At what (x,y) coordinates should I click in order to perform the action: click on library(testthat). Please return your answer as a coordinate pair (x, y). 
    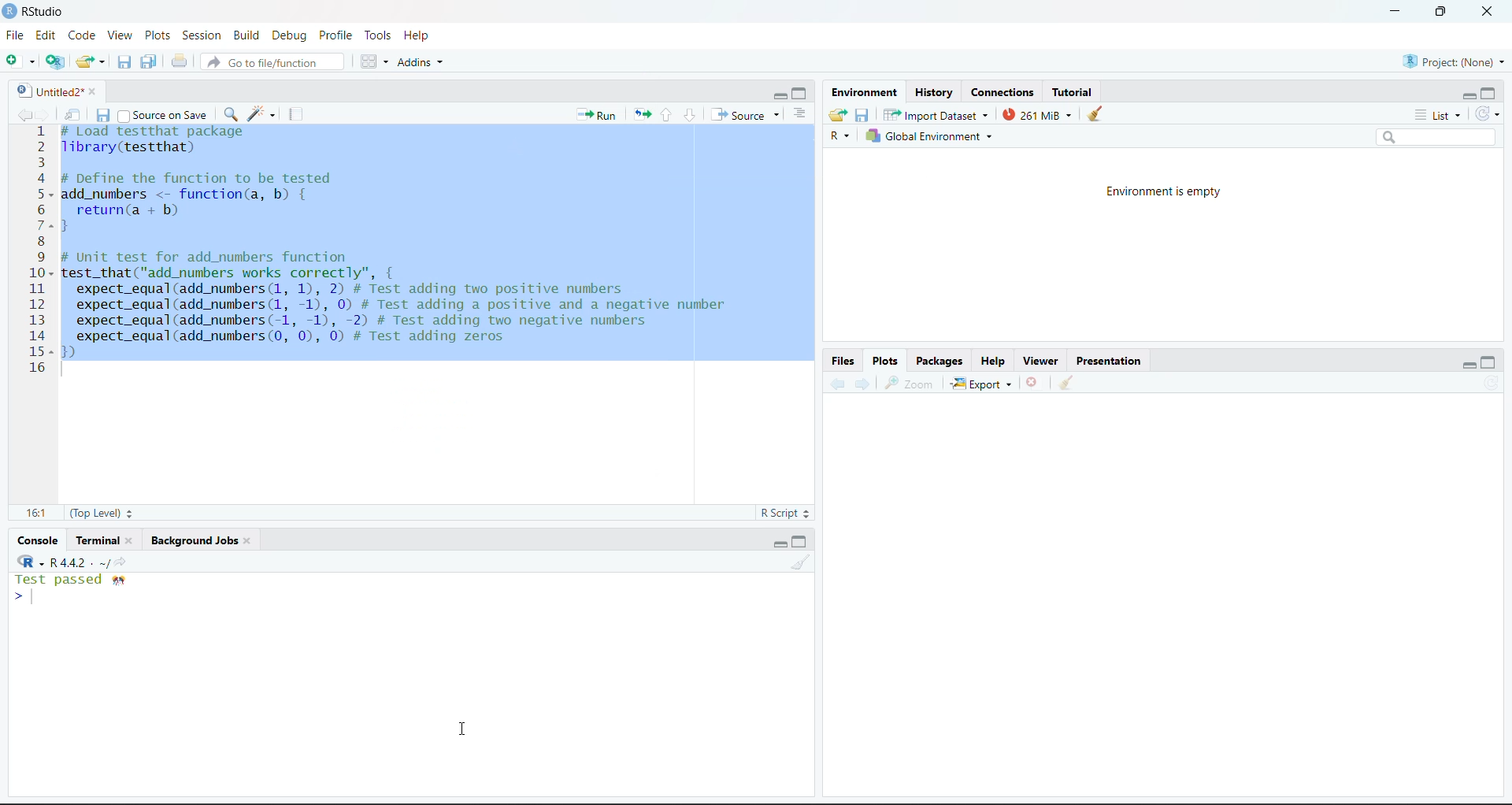
    Looking at the image, I should click on (128, 147).